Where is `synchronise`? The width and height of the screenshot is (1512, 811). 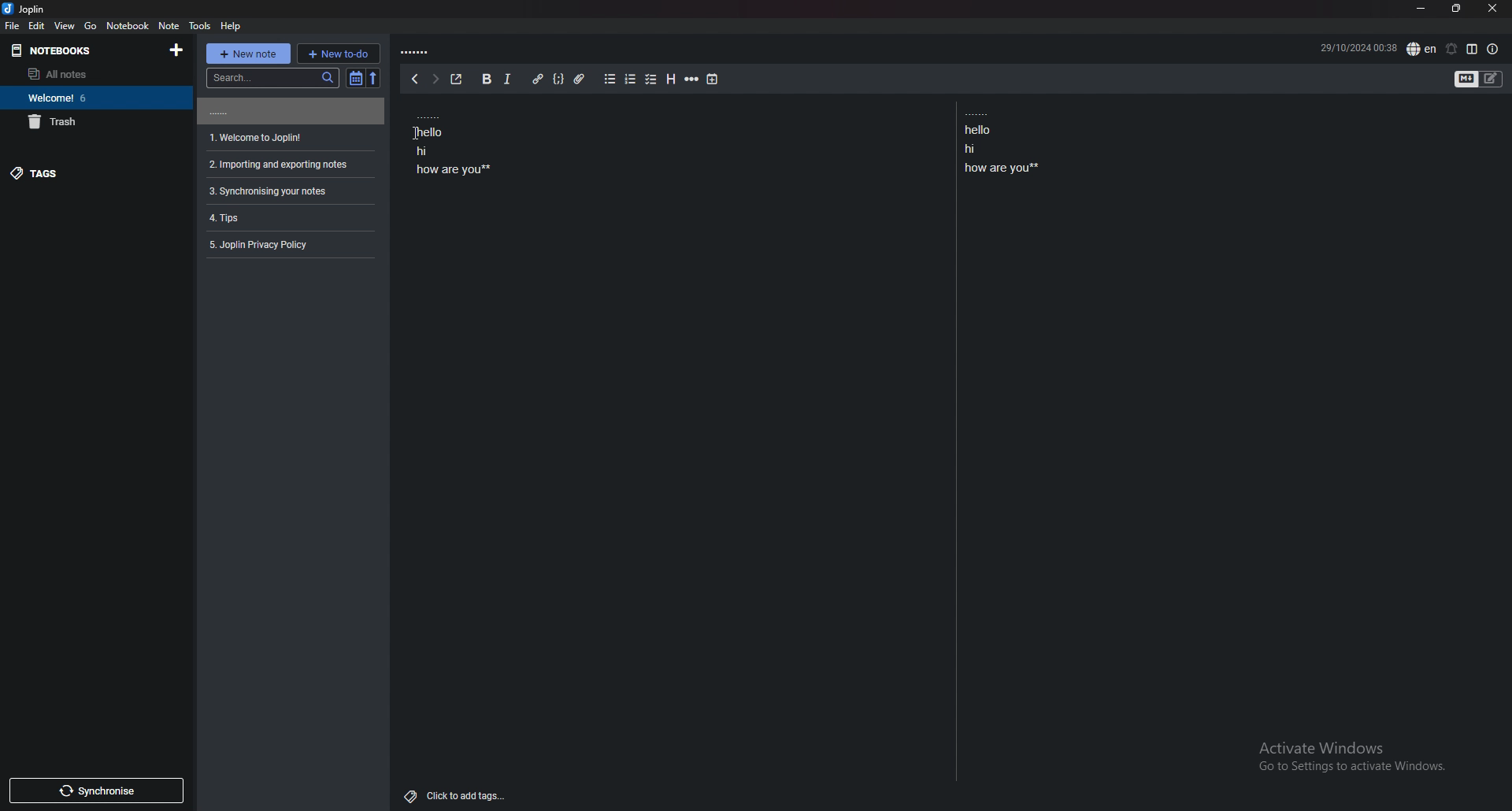 synchronise is located at coordinates (97, 791).